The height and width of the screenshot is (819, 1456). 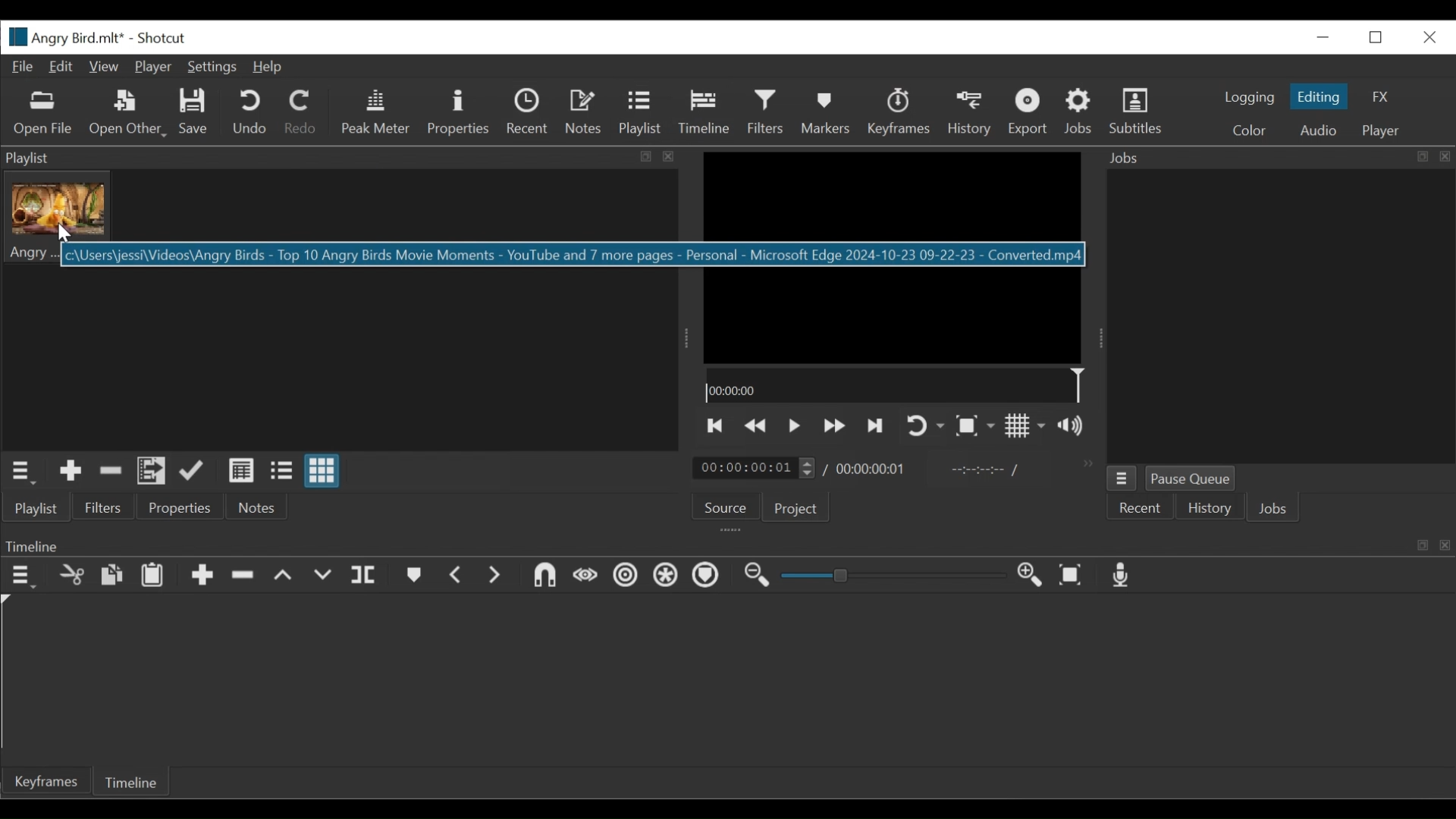 What do you see at coordinates (105, 67) in the screenshot?
I see `View` at bounding box center [105, 67].